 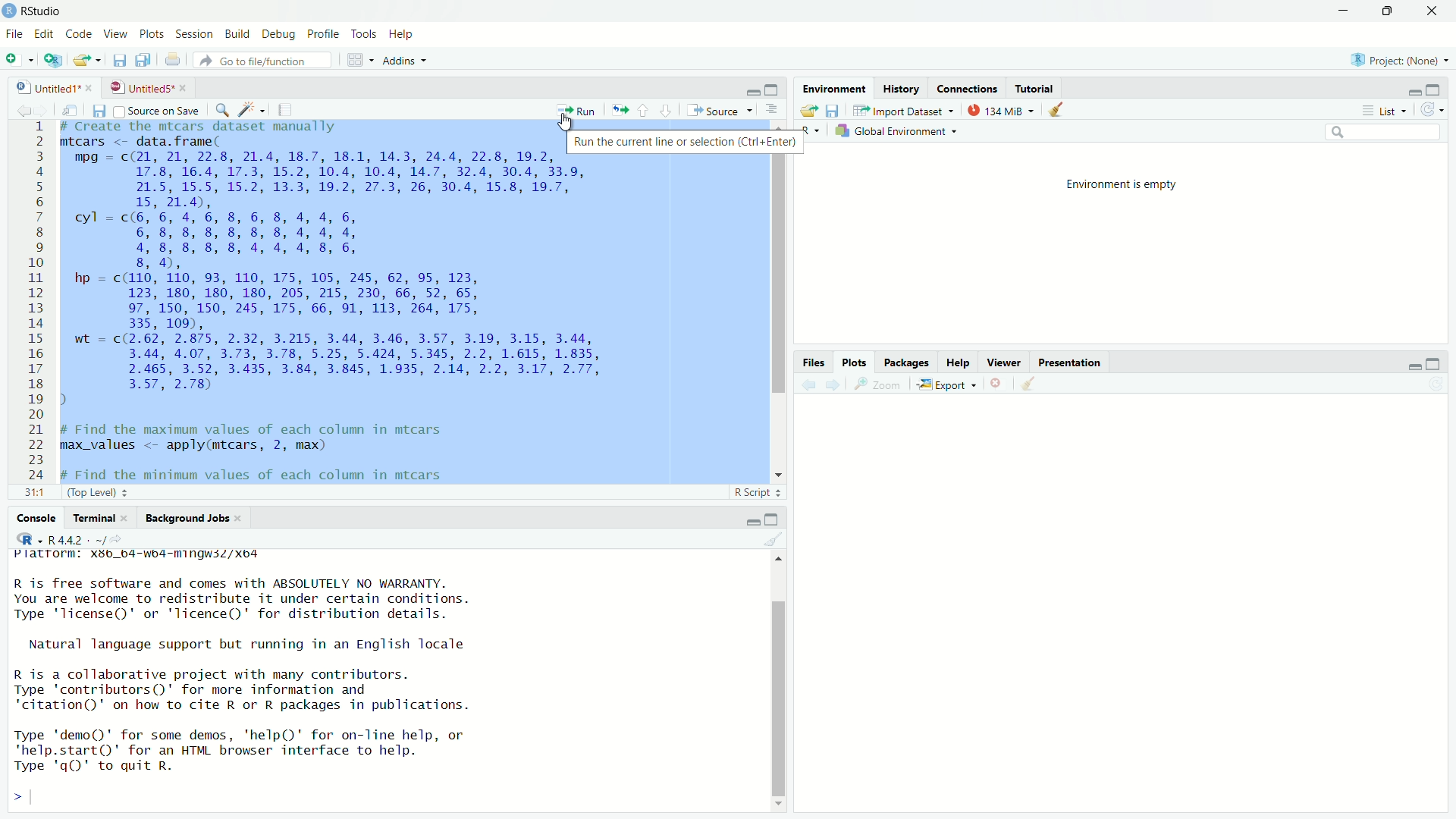 I want to click on upward, so click(x=648, y=111).